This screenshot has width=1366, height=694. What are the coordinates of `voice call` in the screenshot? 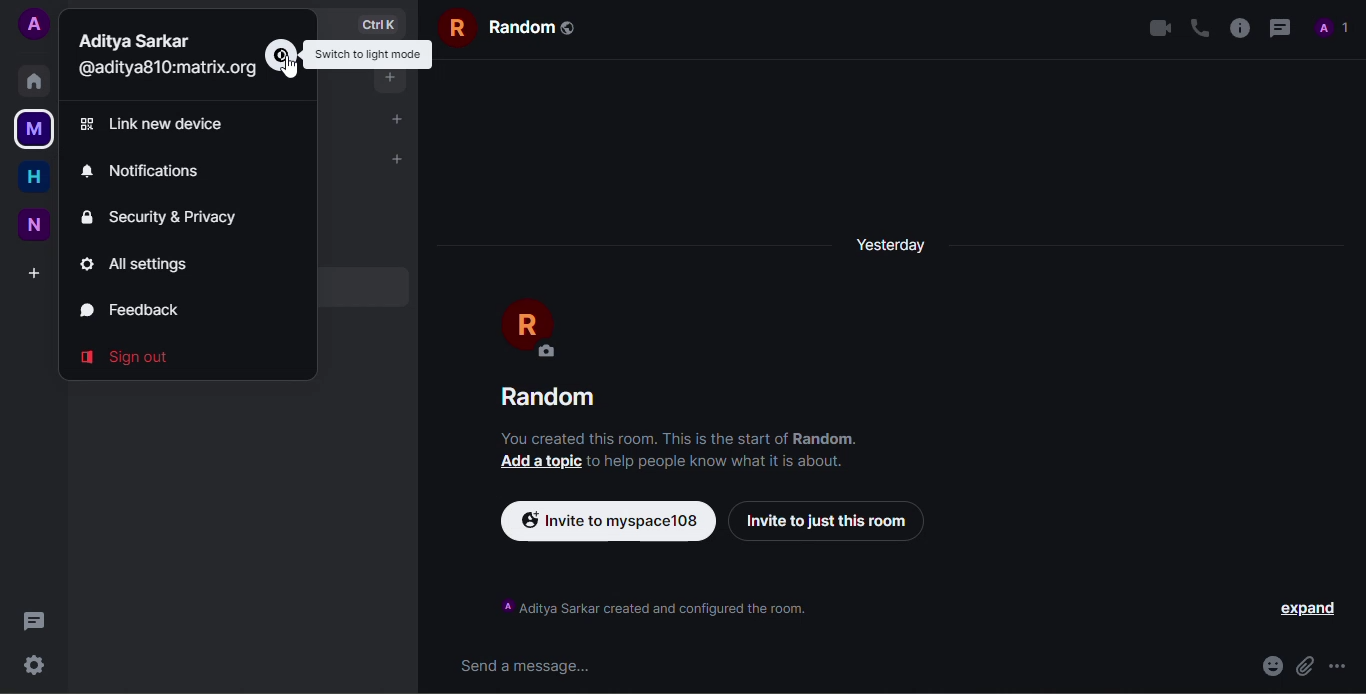 It's located at (1198, 27).